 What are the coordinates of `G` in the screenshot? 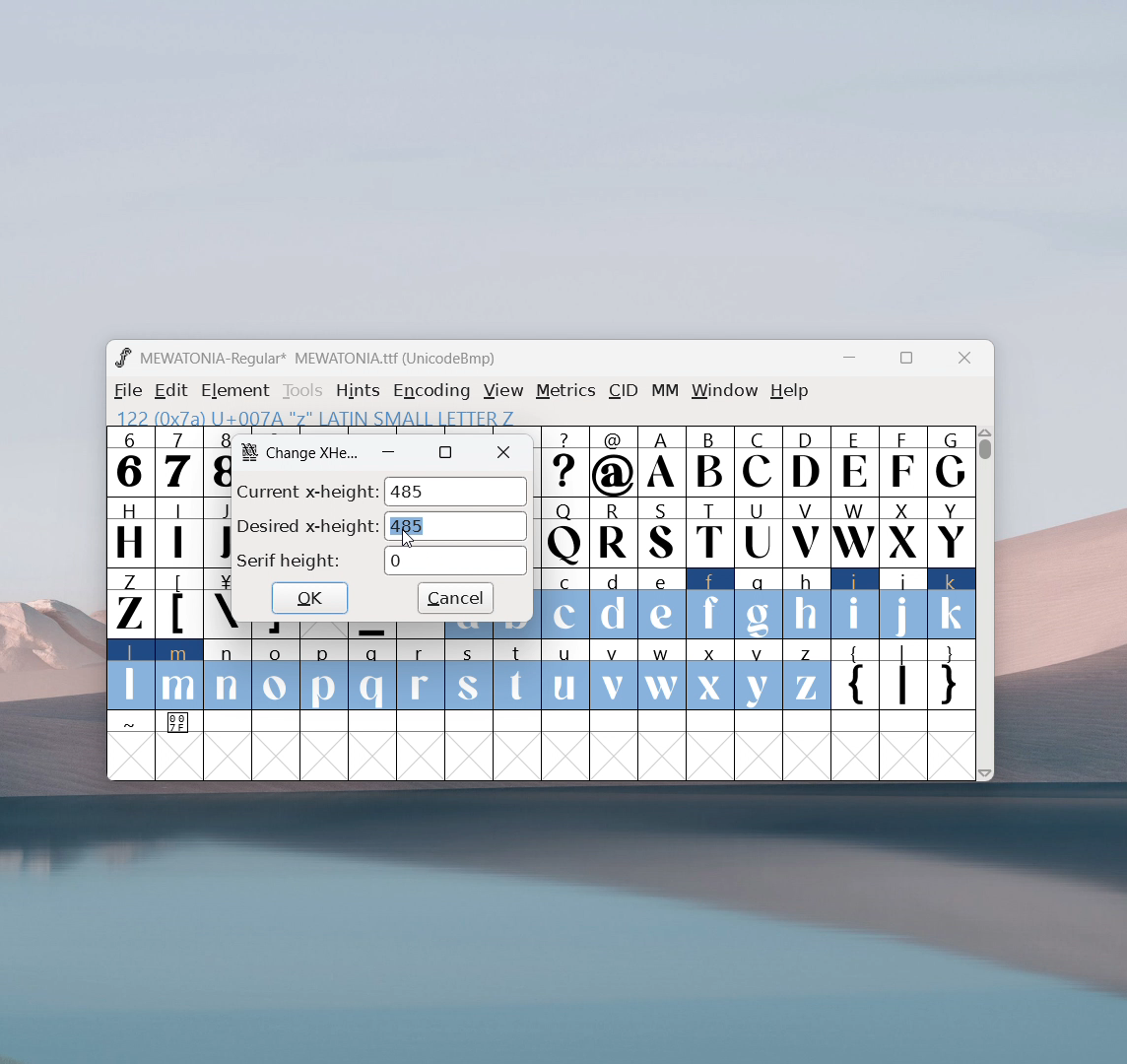 It's located at (951, 461).